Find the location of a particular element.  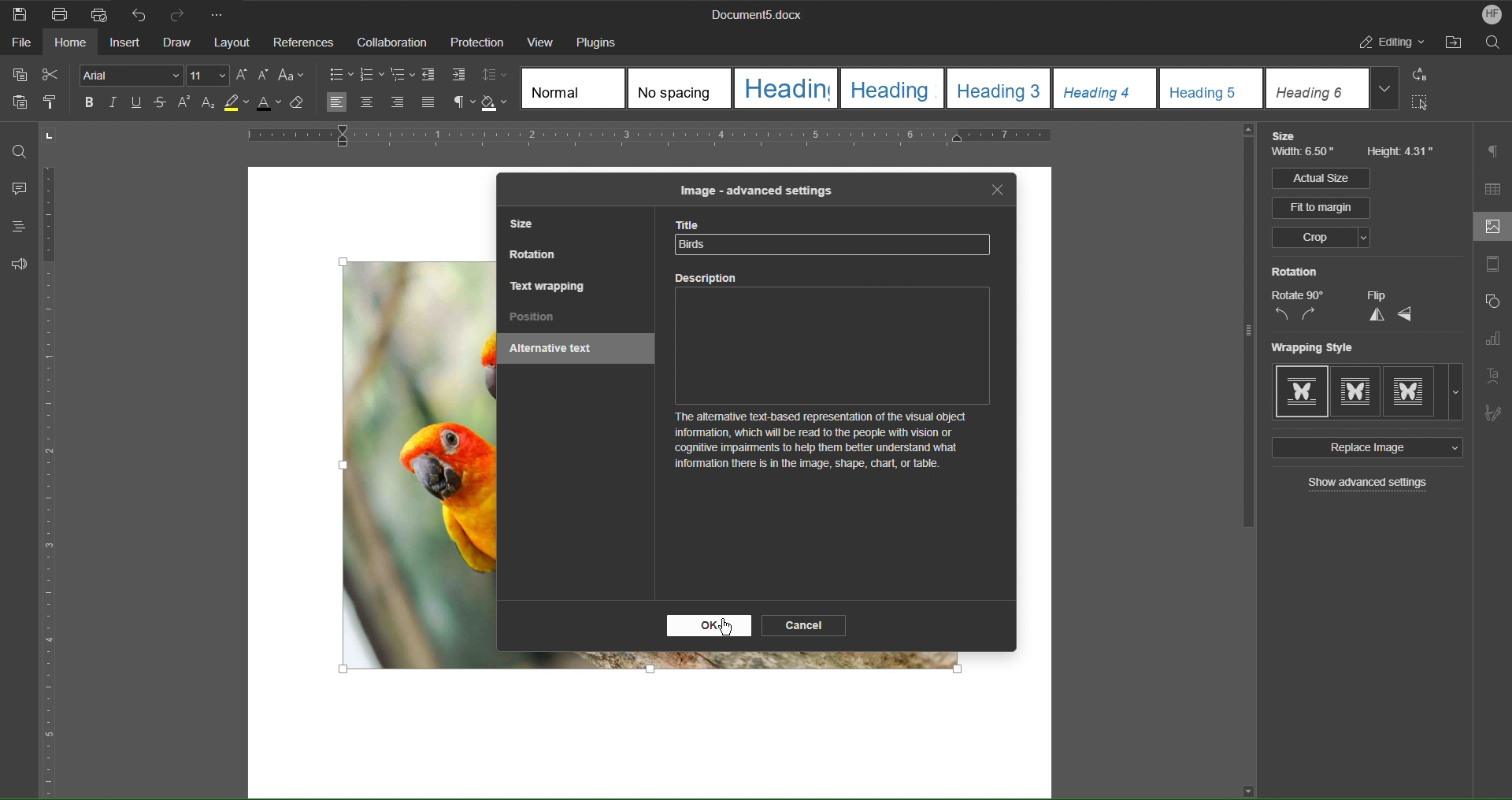

Text wrappings is located at coordinates (549, 285).